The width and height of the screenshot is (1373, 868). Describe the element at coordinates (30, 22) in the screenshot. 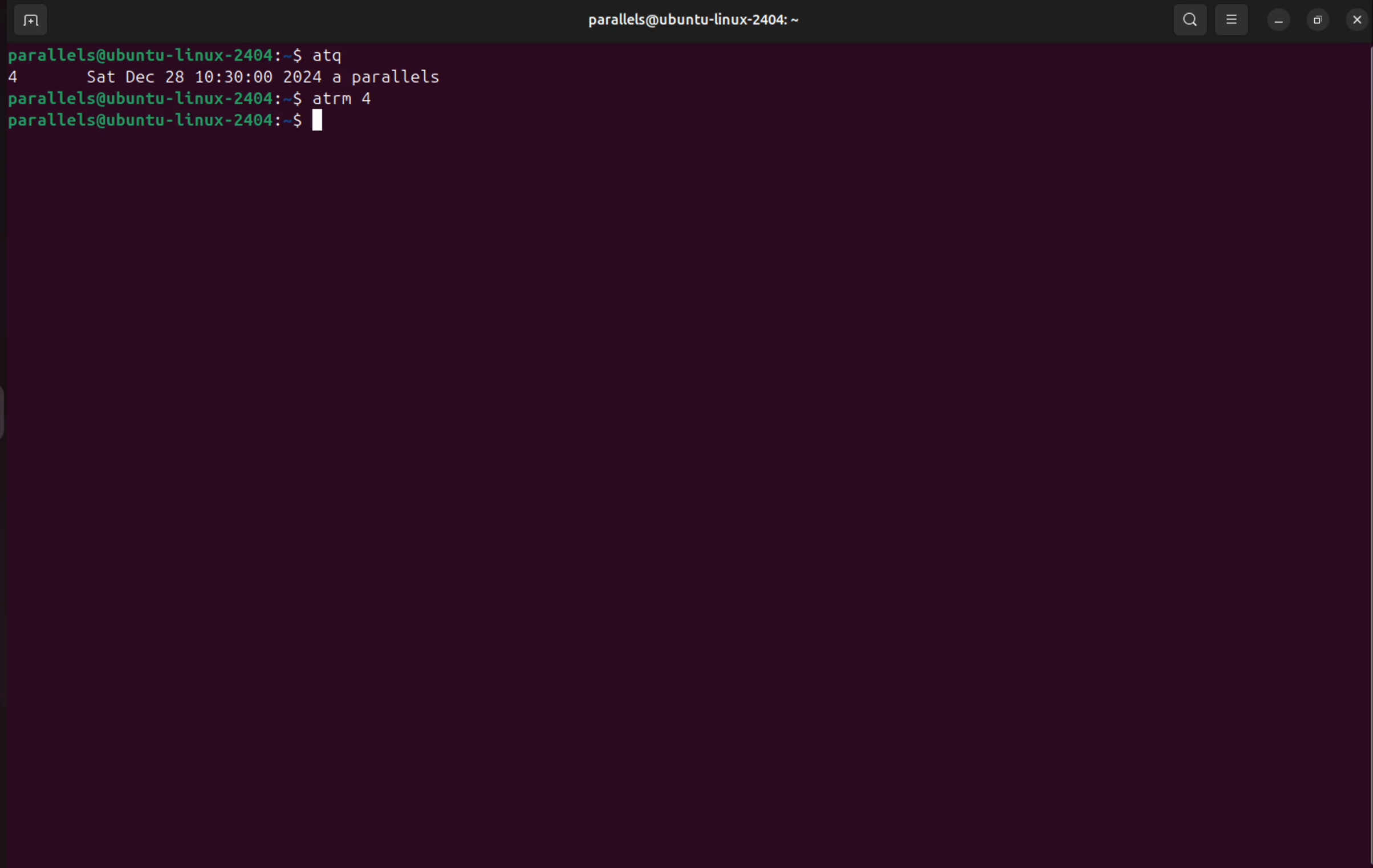

I see `add terminal` at that location.